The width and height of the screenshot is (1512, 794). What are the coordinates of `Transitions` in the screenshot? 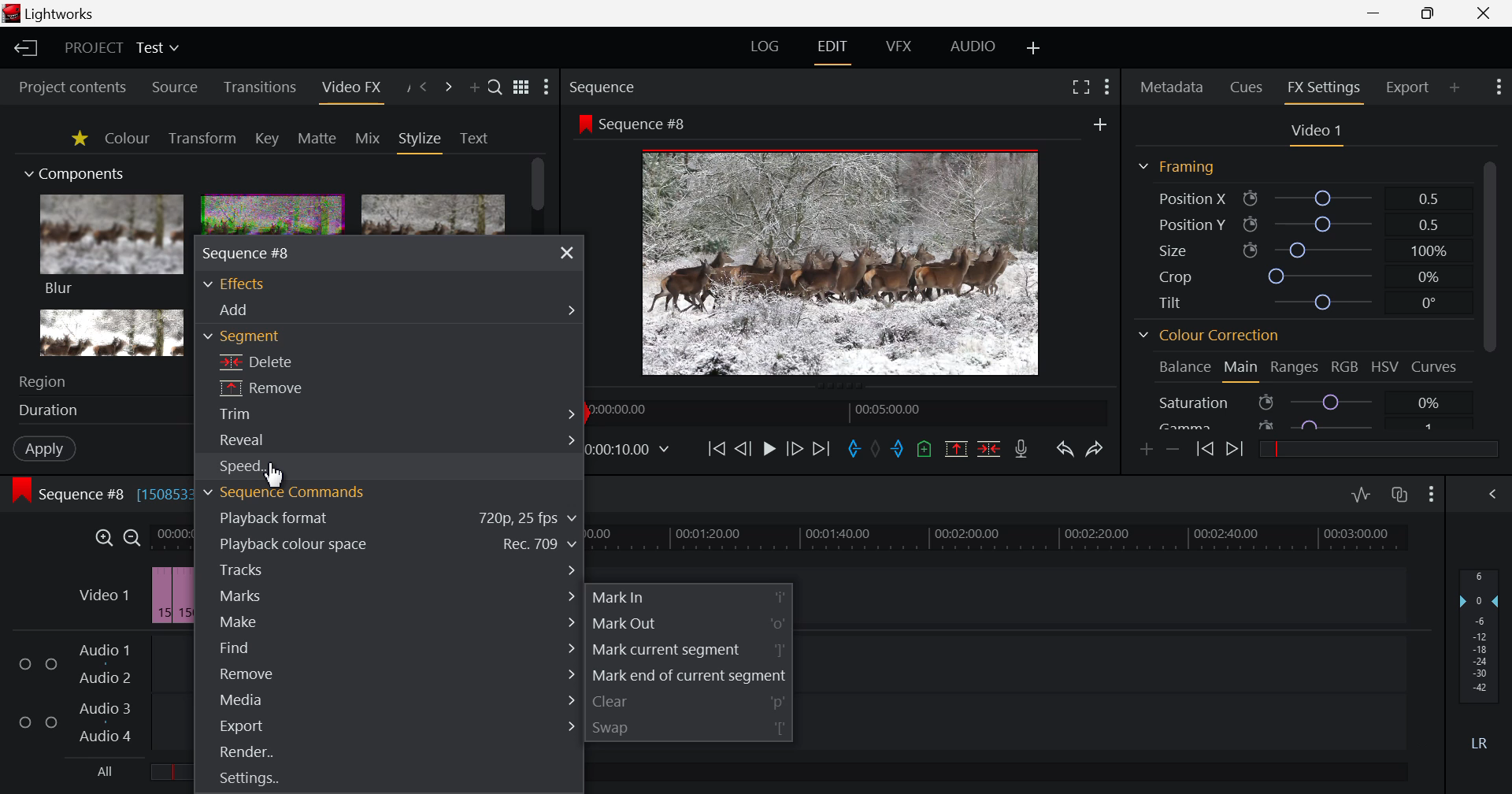 It's located at (259, 88).